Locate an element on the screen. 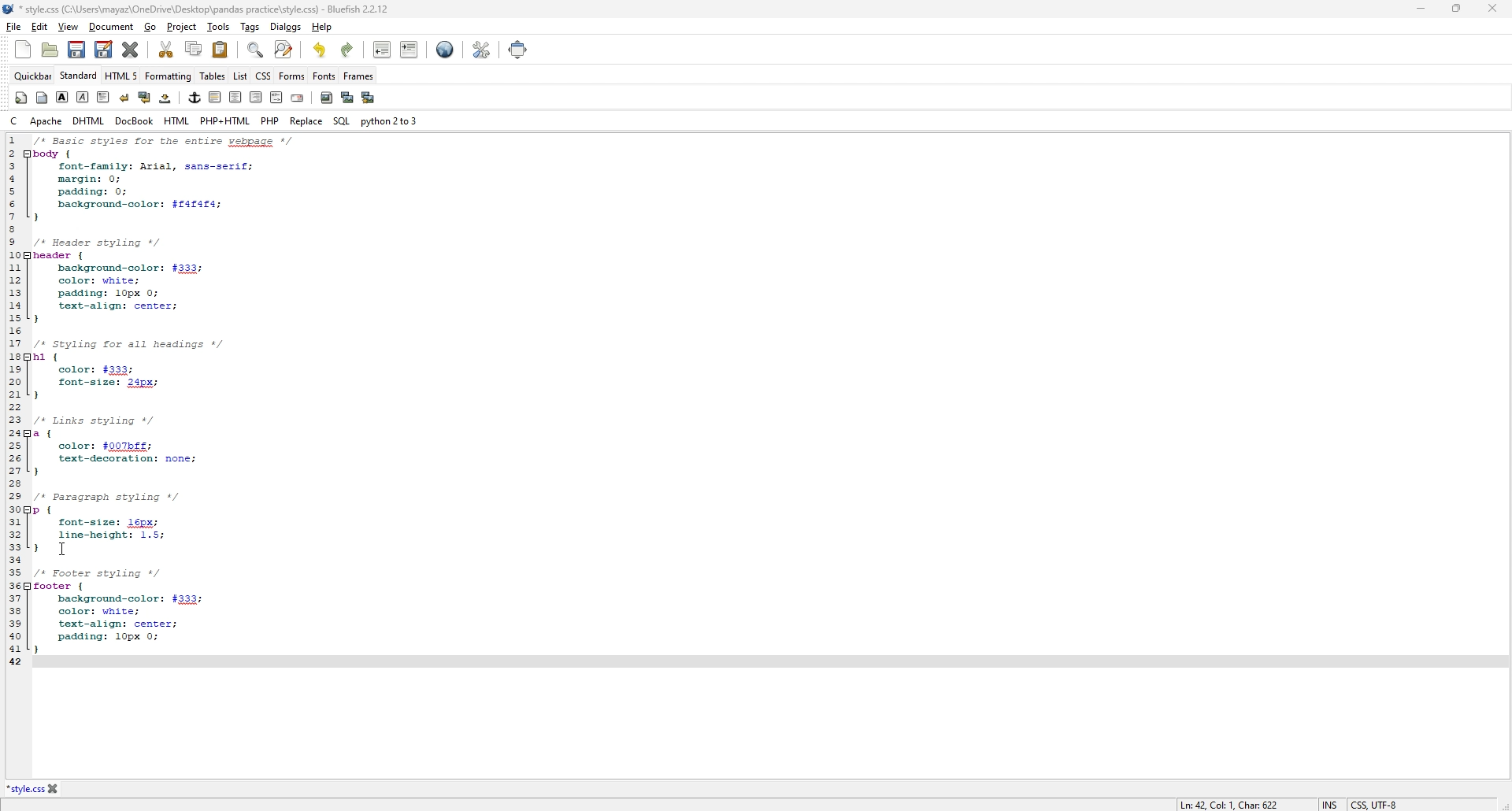 The image size is (1512, 811). Maximize is located at coordinates (1457, 8).